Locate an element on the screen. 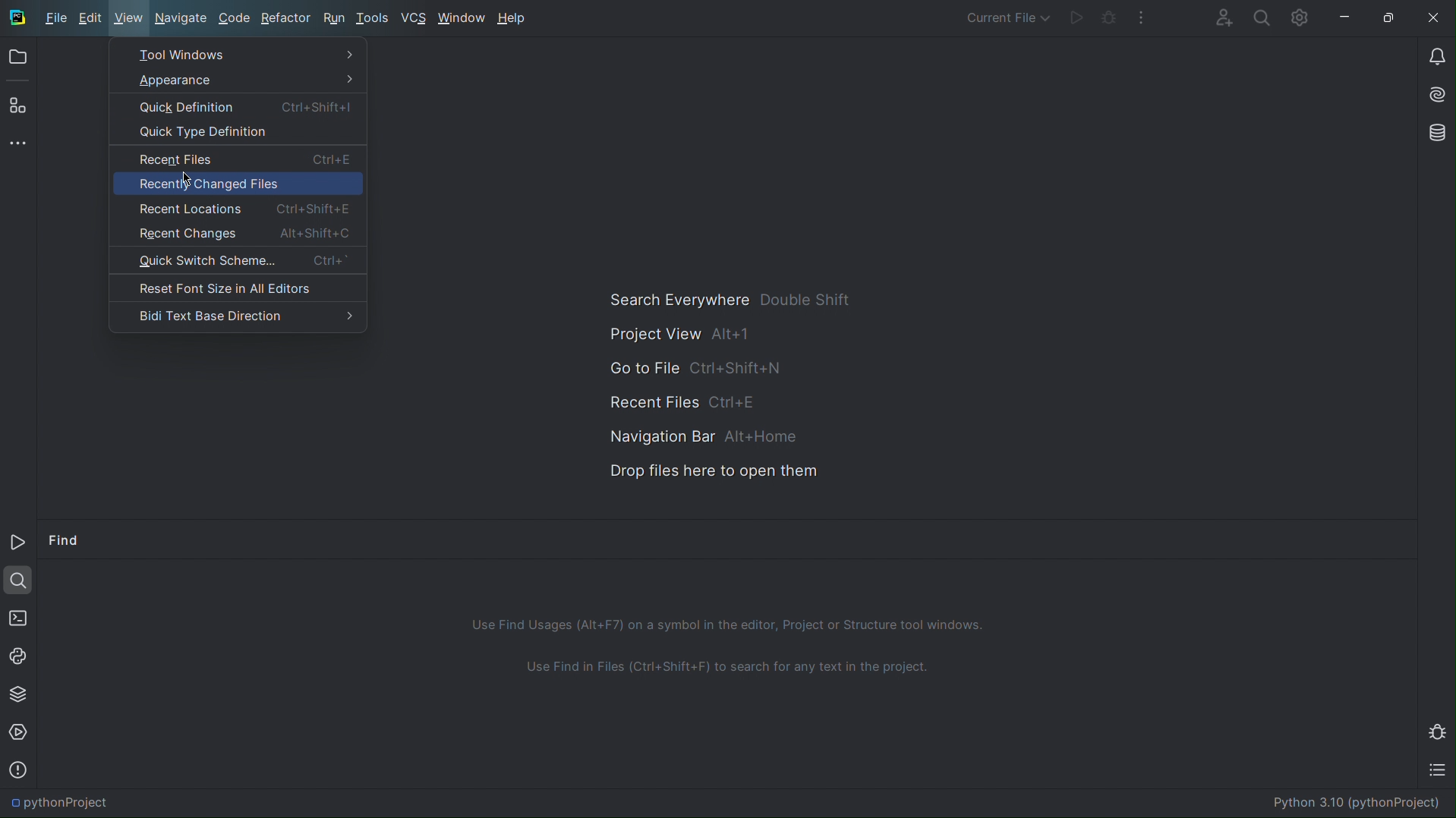 The image size is (1456, 818). View is located at coordinates (129, 19).